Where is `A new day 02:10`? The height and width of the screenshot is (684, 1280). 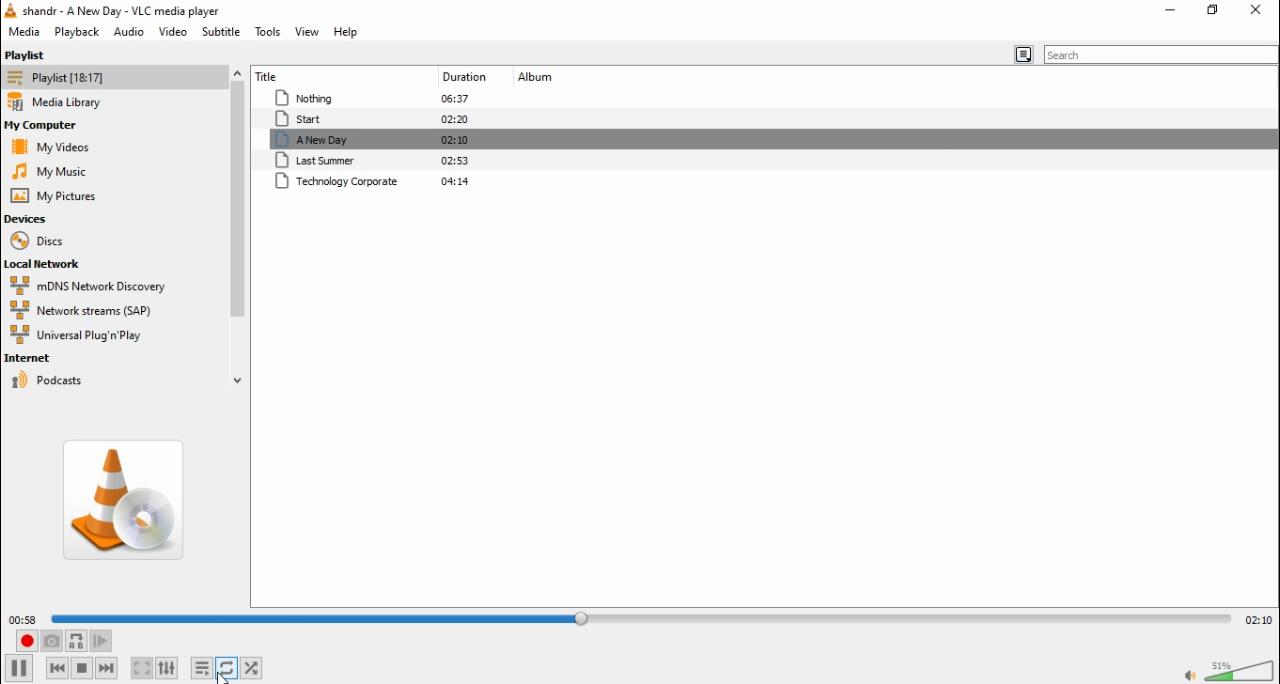 A new day 02:10 is located at coordinates (377, 140).